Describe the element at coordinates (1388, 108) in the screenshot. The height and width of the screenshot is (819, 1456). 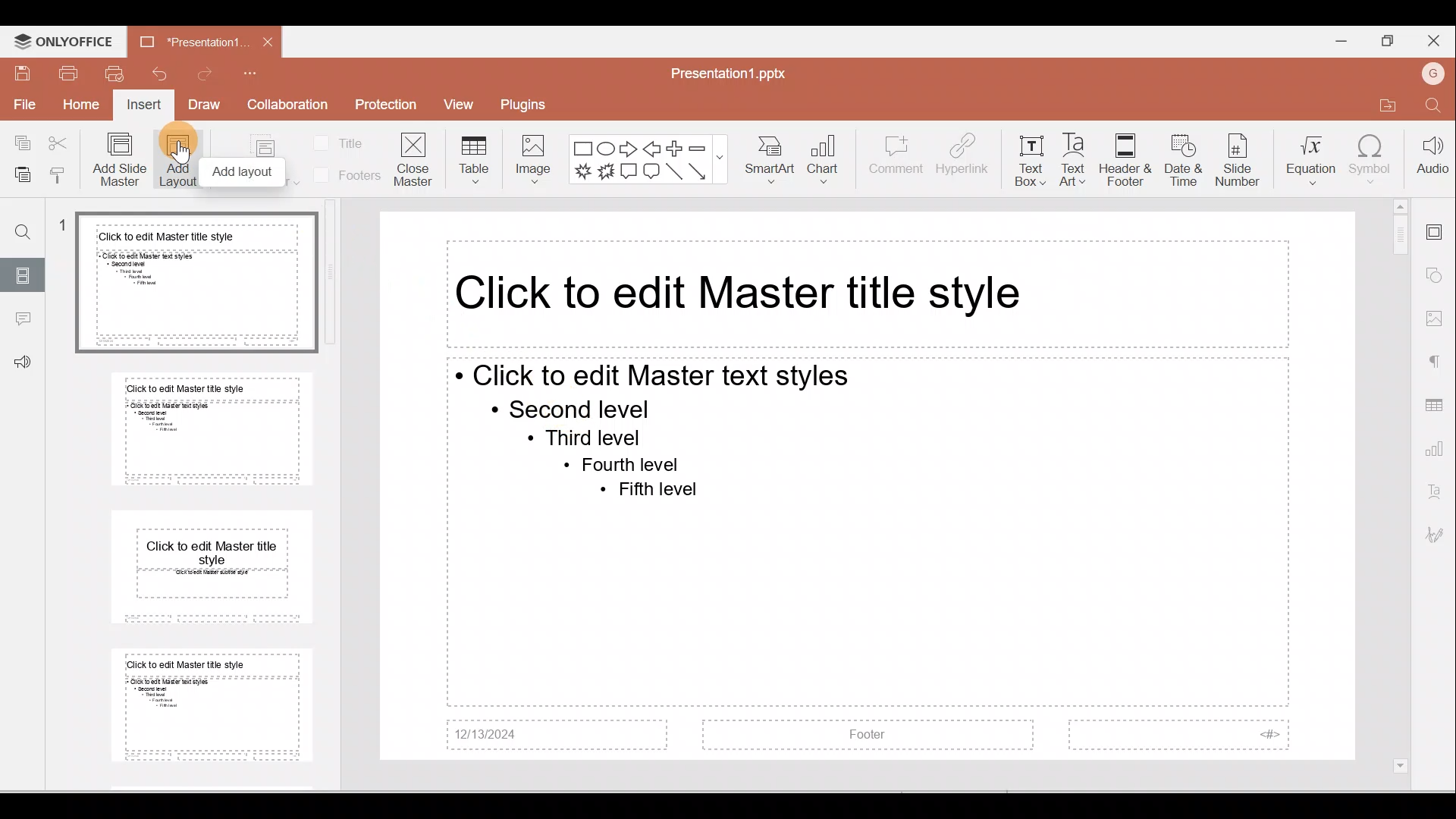
I see `Open file location` at that location.